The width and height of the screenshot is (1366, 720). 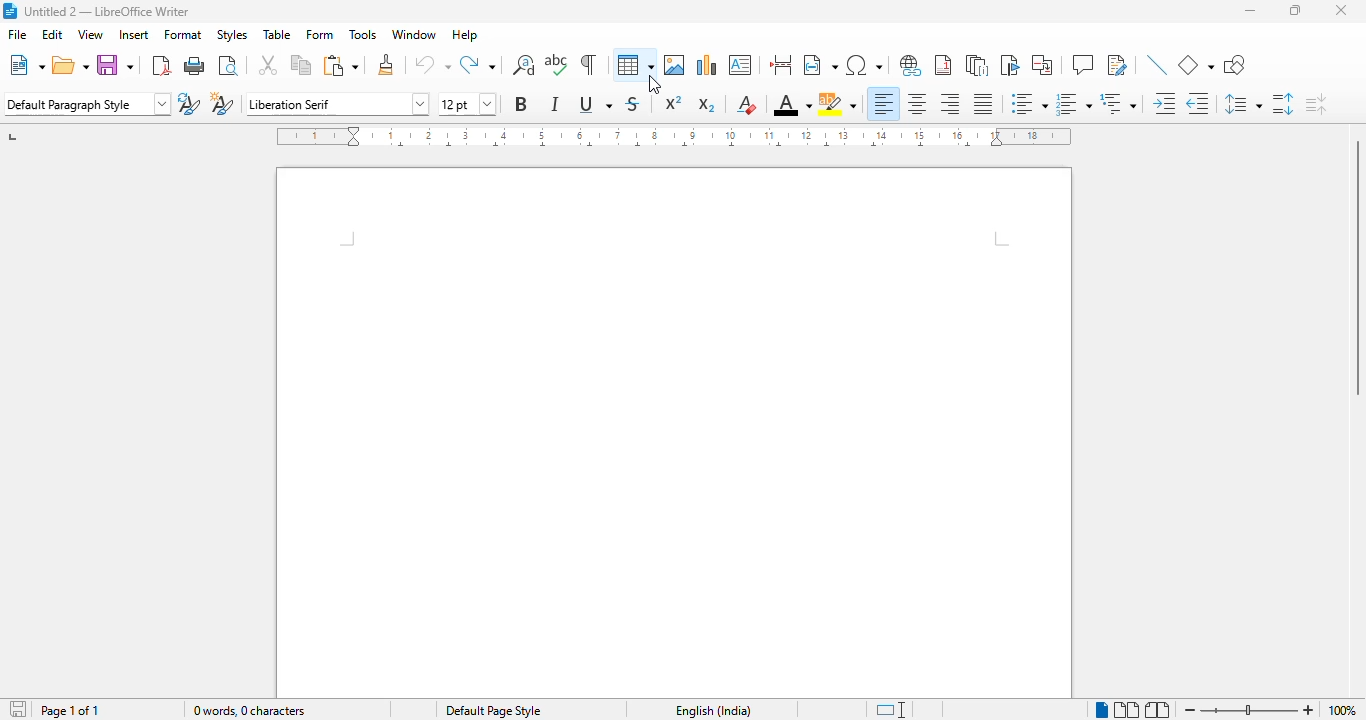 I want to click on copy, so click(x=301, y=65).